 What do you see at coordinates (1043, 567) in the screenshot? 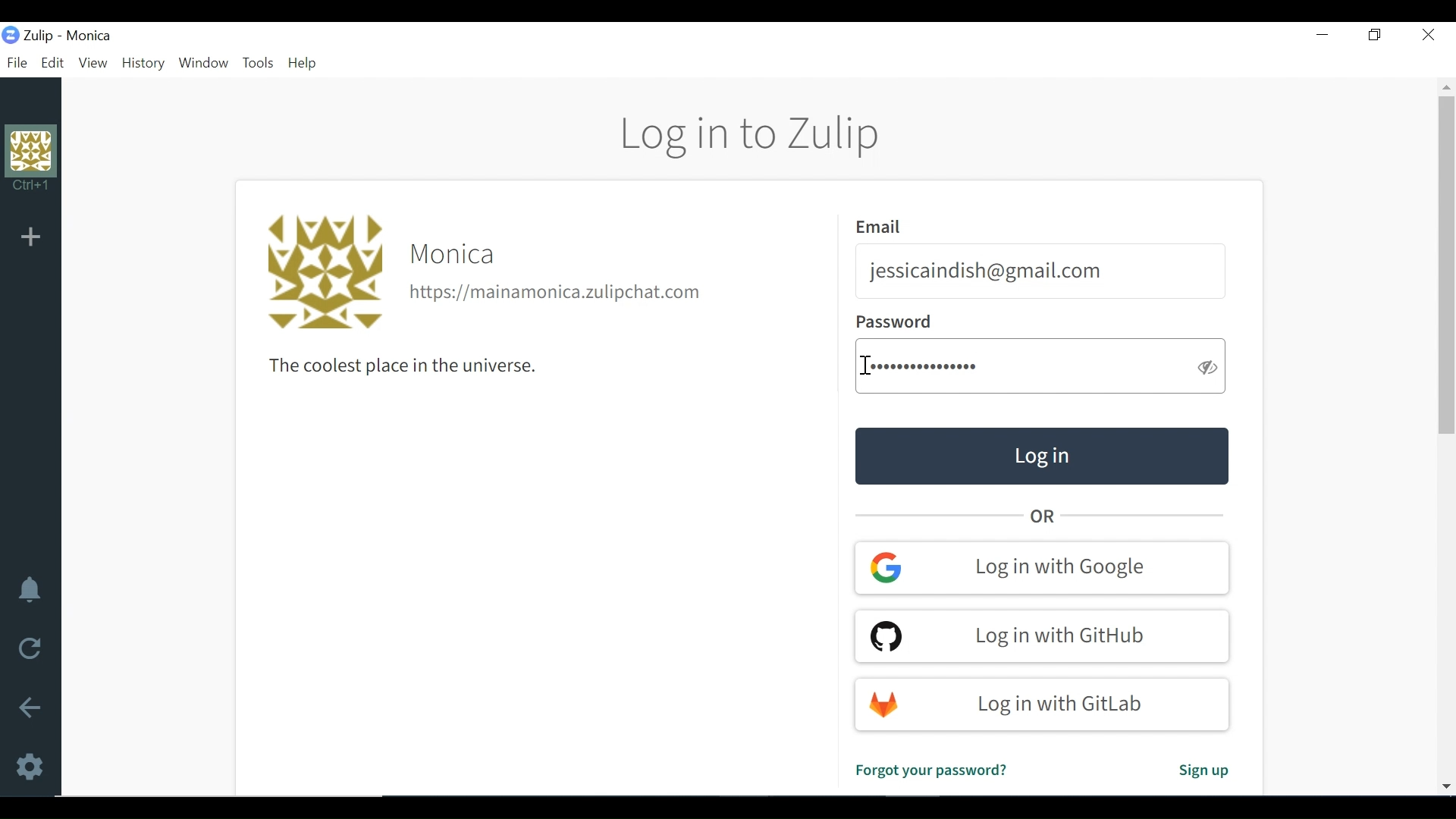
I see `Log in with google` at bounding box center [1043, 567].